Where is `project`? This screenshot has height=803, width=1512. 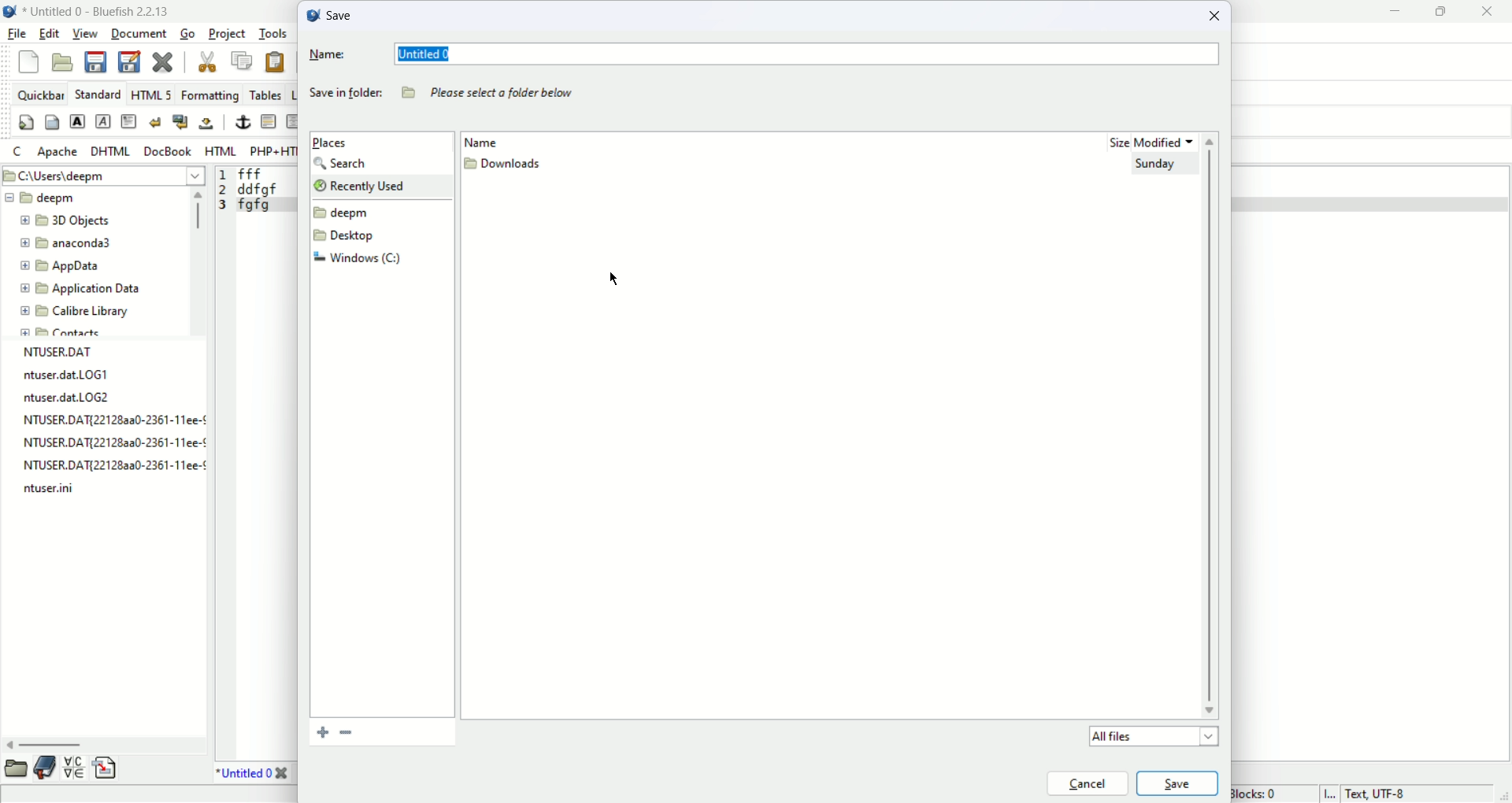 project is located at coordinates (225, 32).